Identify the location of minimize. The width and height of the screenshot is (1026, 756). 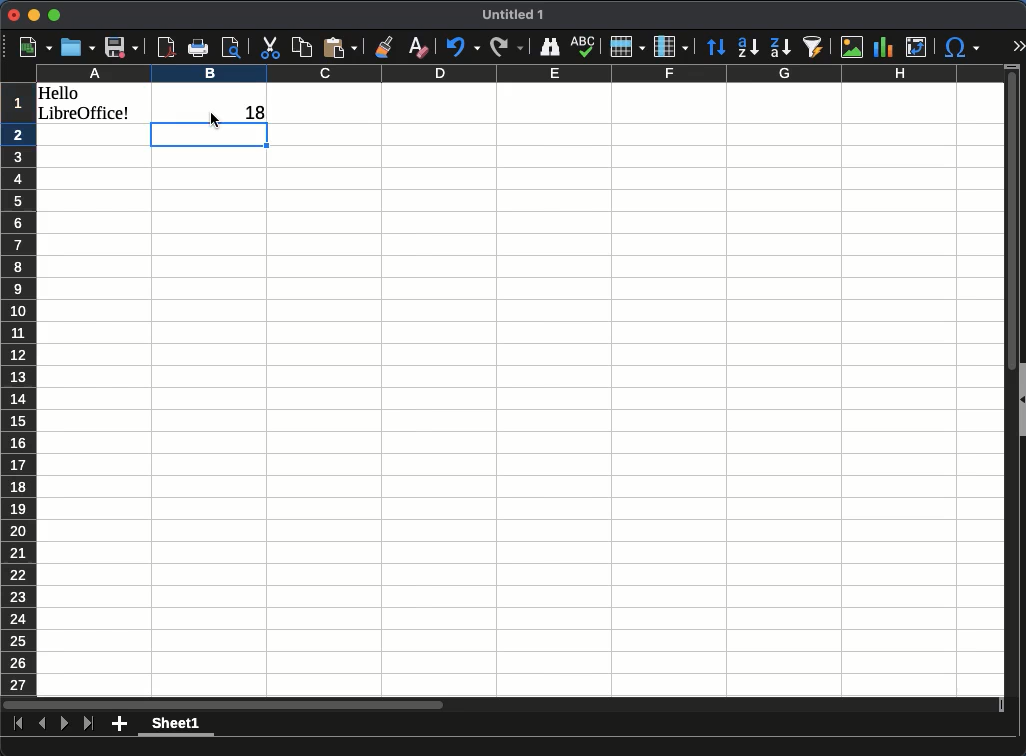
(35, 16).